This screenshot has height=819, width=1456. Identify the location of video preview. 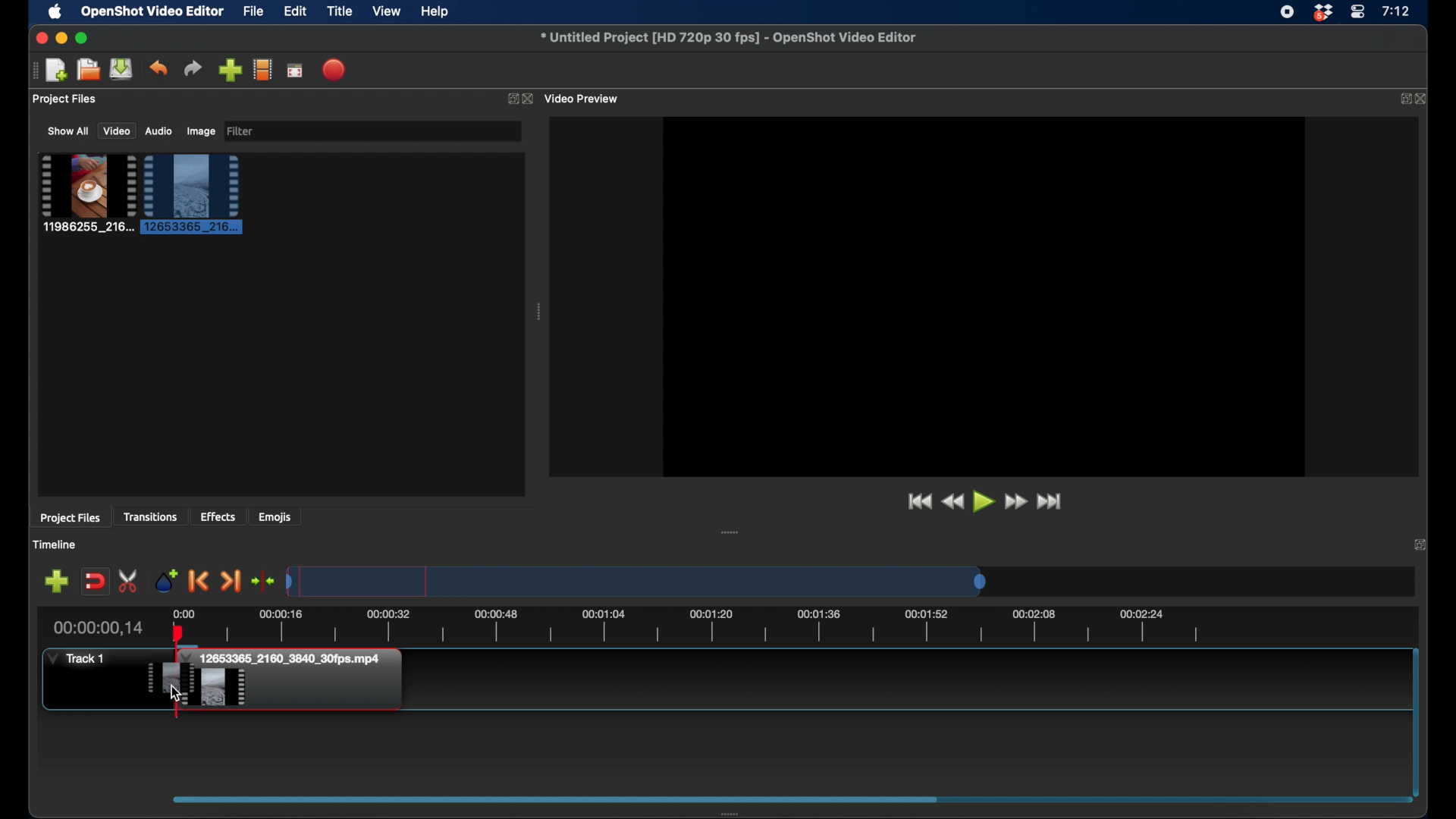
(586, 98).